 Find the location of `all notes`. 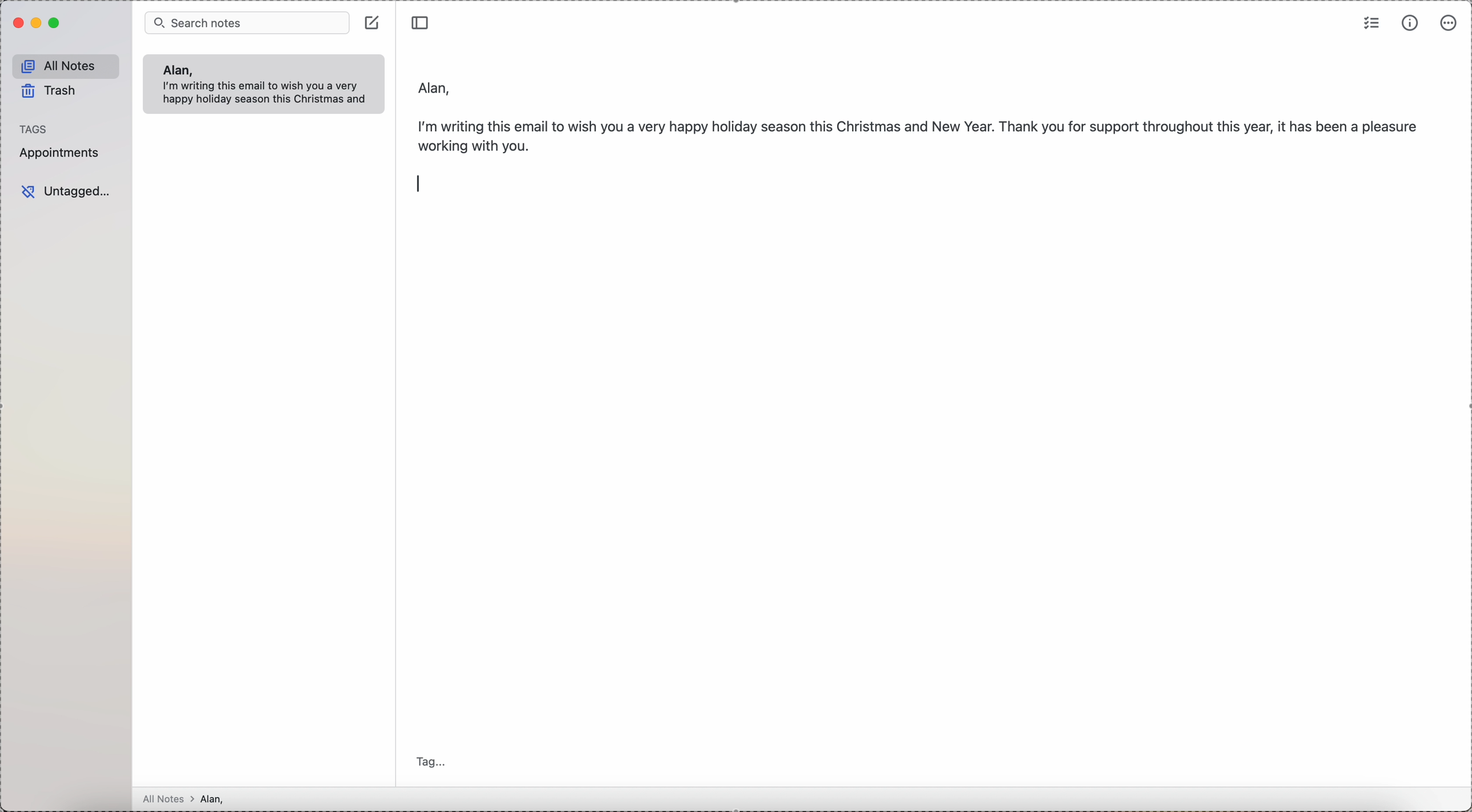

all notes is located at coordinates (66, 66).